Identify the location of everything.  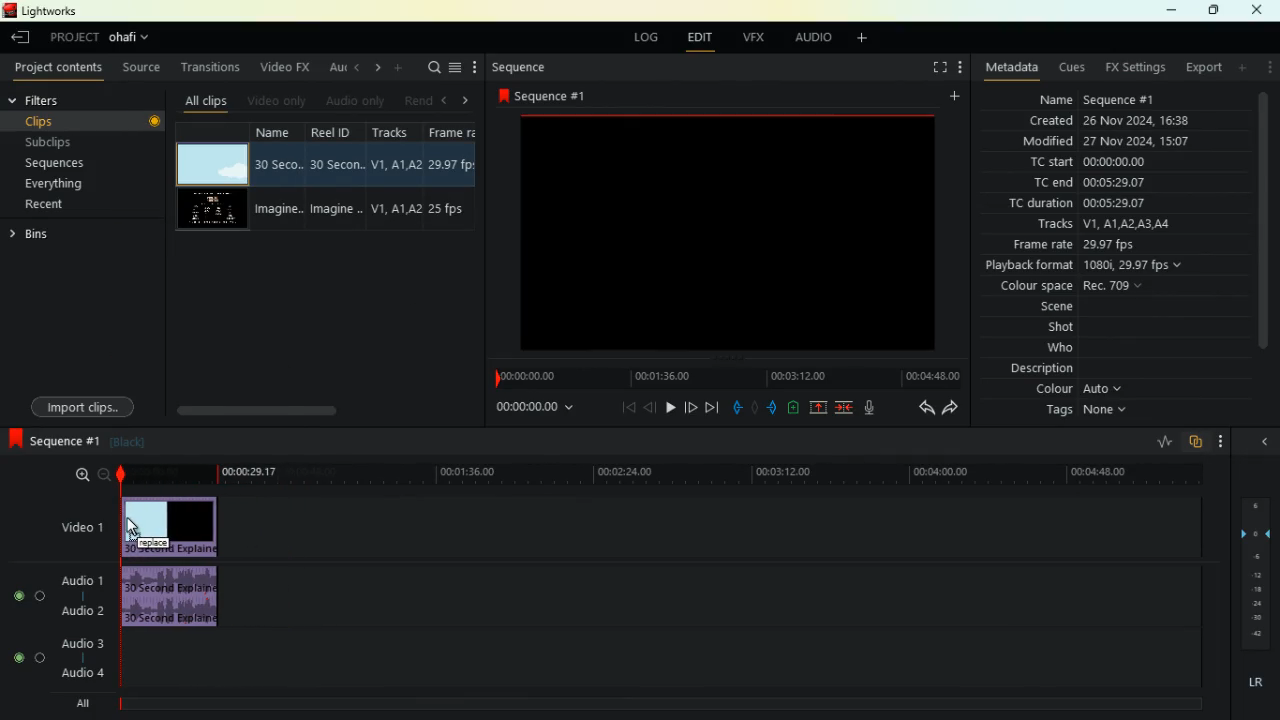
(62, 184).